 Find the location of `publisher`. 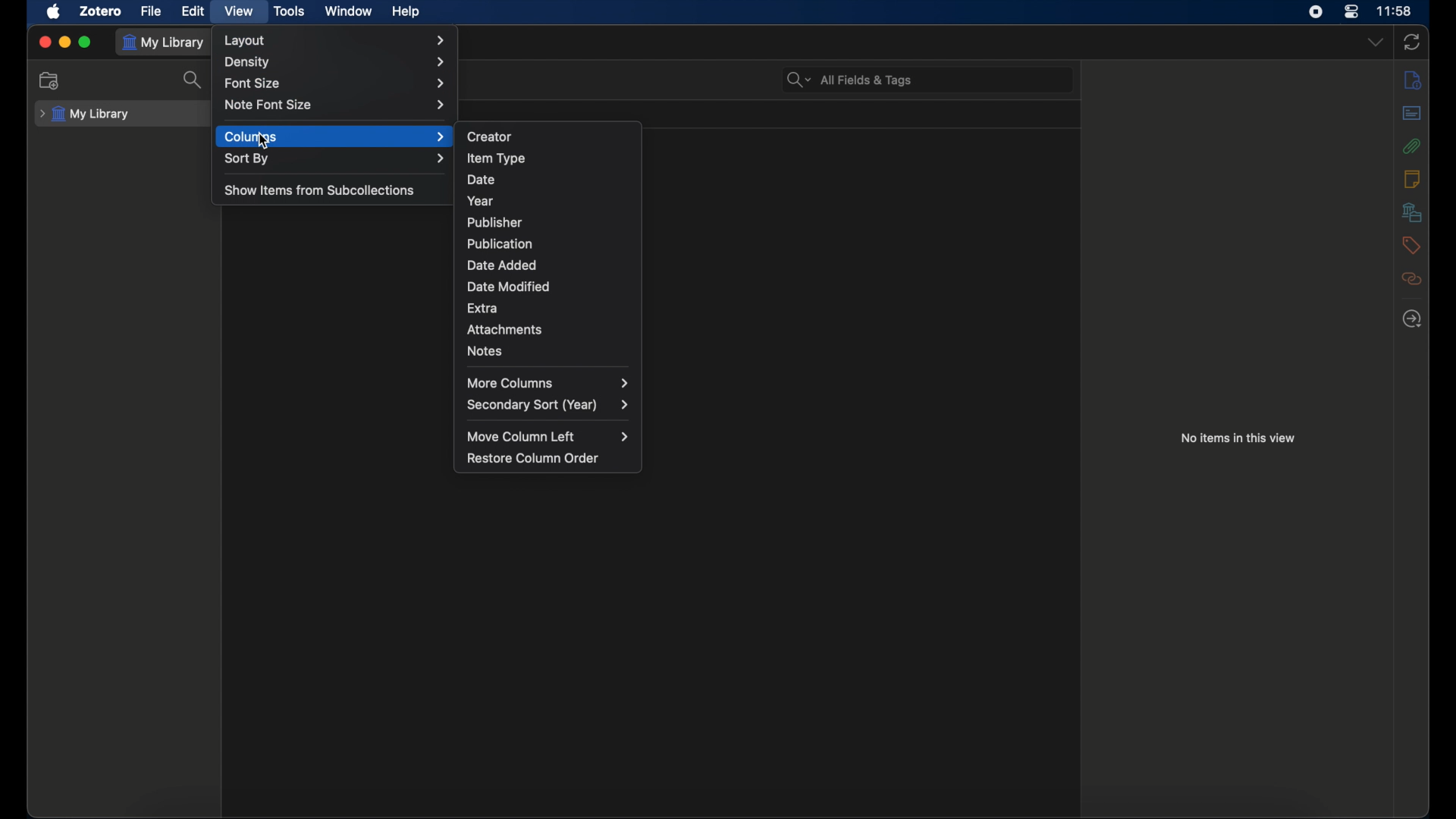

publisher is located at coordinates (496, 222).